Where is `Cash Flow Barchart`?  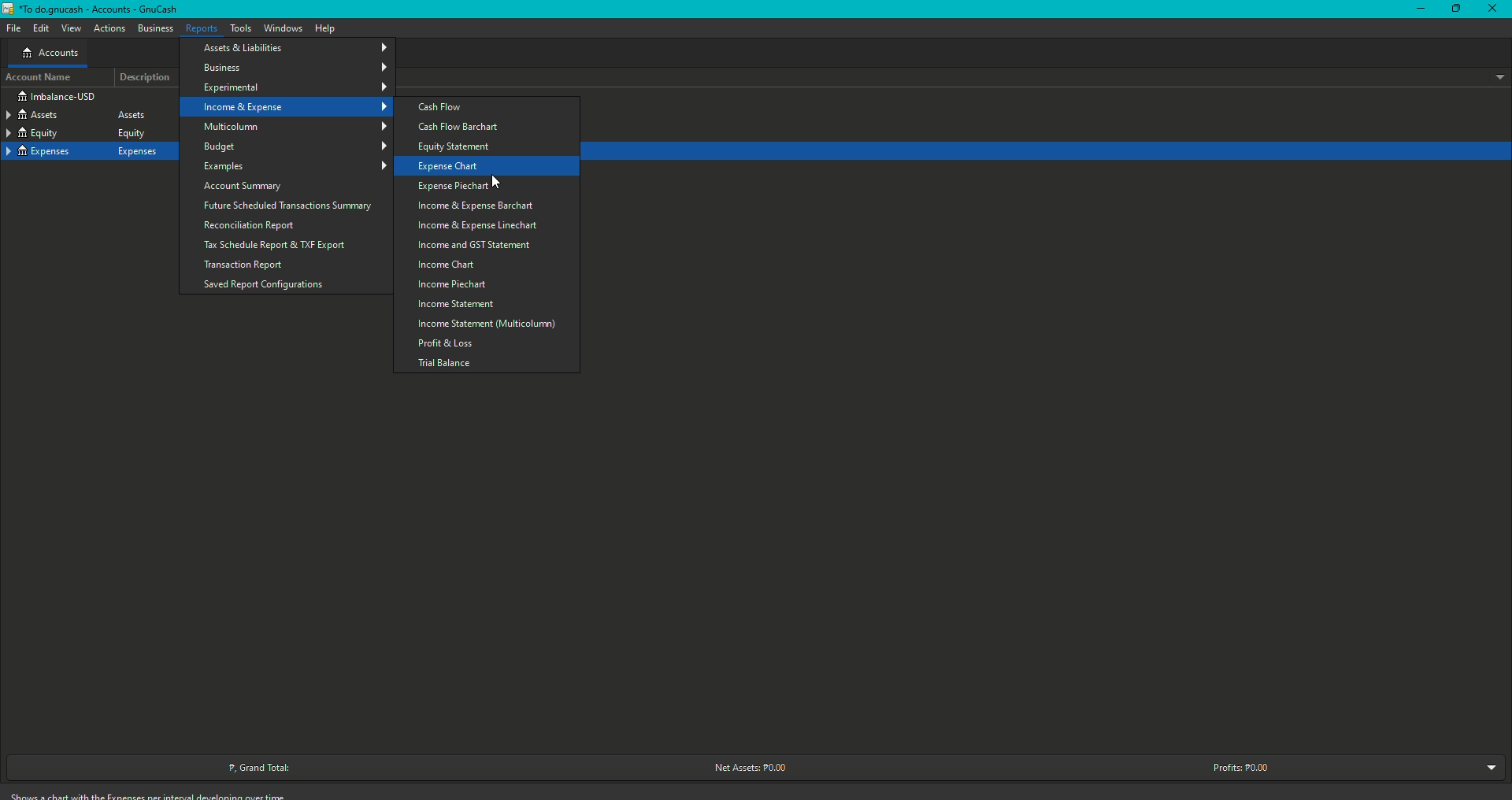
Cash Flow Barchart is located at coordinates (465, 128).